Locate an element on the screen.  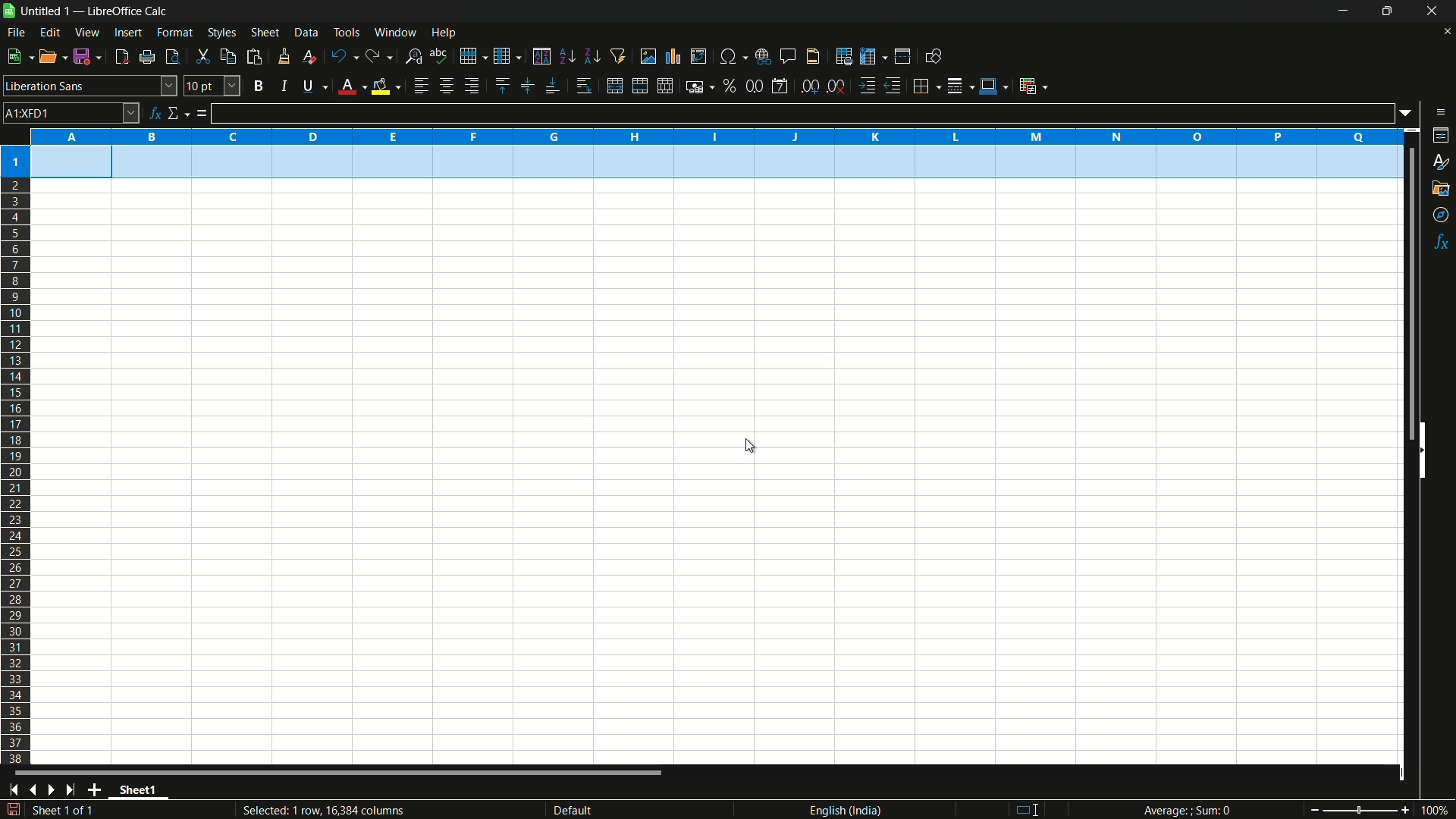
bold is located at coordinates (258, 85).